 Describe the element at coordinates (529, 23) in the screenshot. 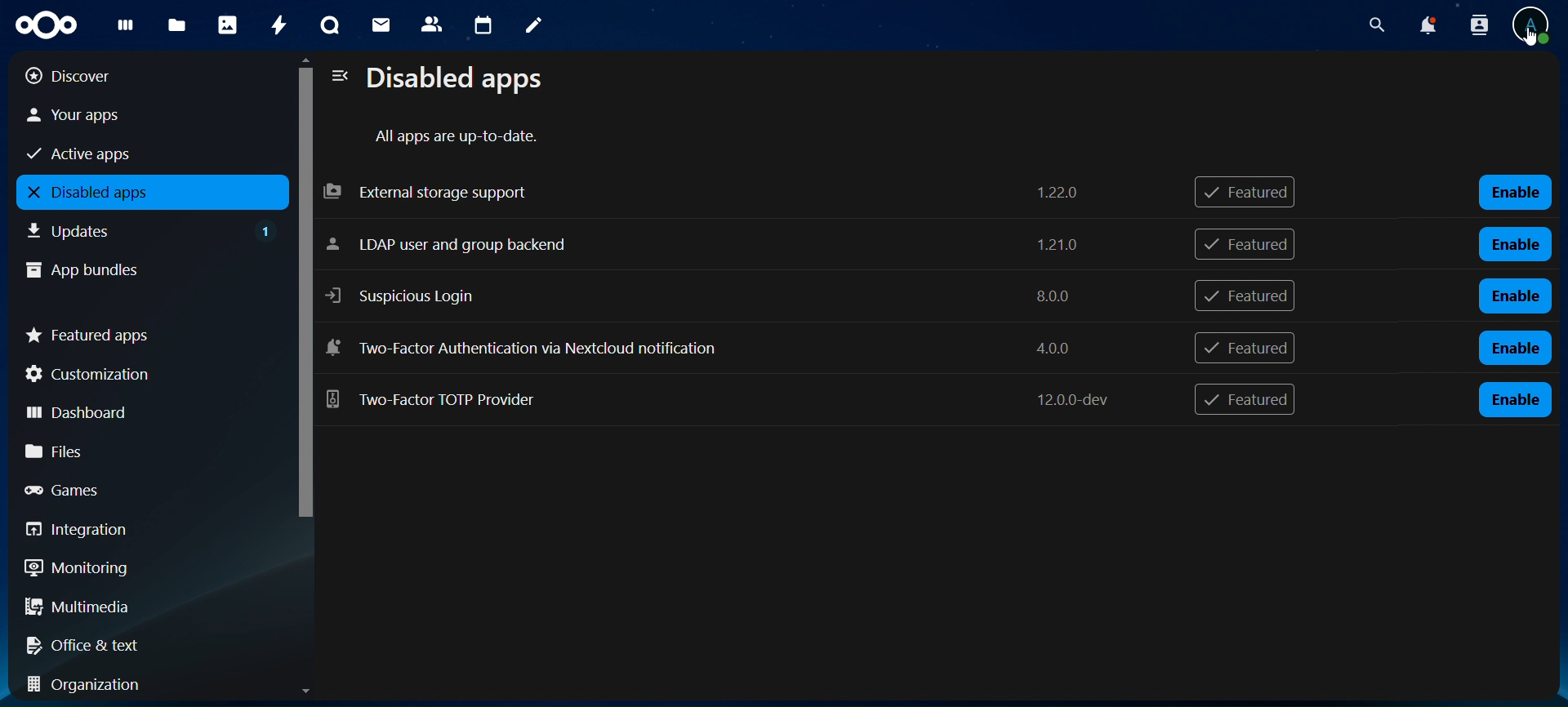

I see `notes` at that location.